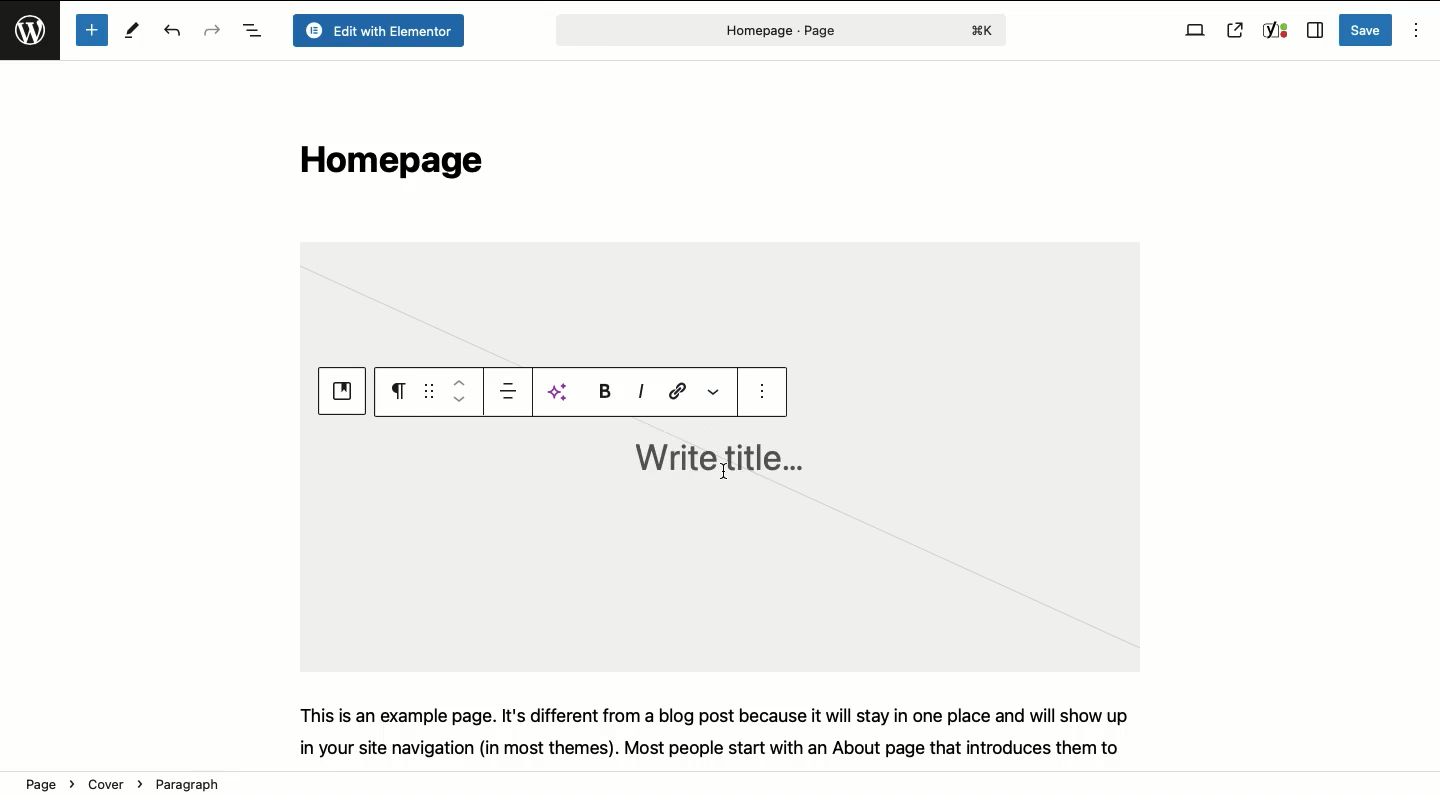  Describe the element at coordinates (377, 31) in the screenshot. I see `Edit with elementor` at that location.